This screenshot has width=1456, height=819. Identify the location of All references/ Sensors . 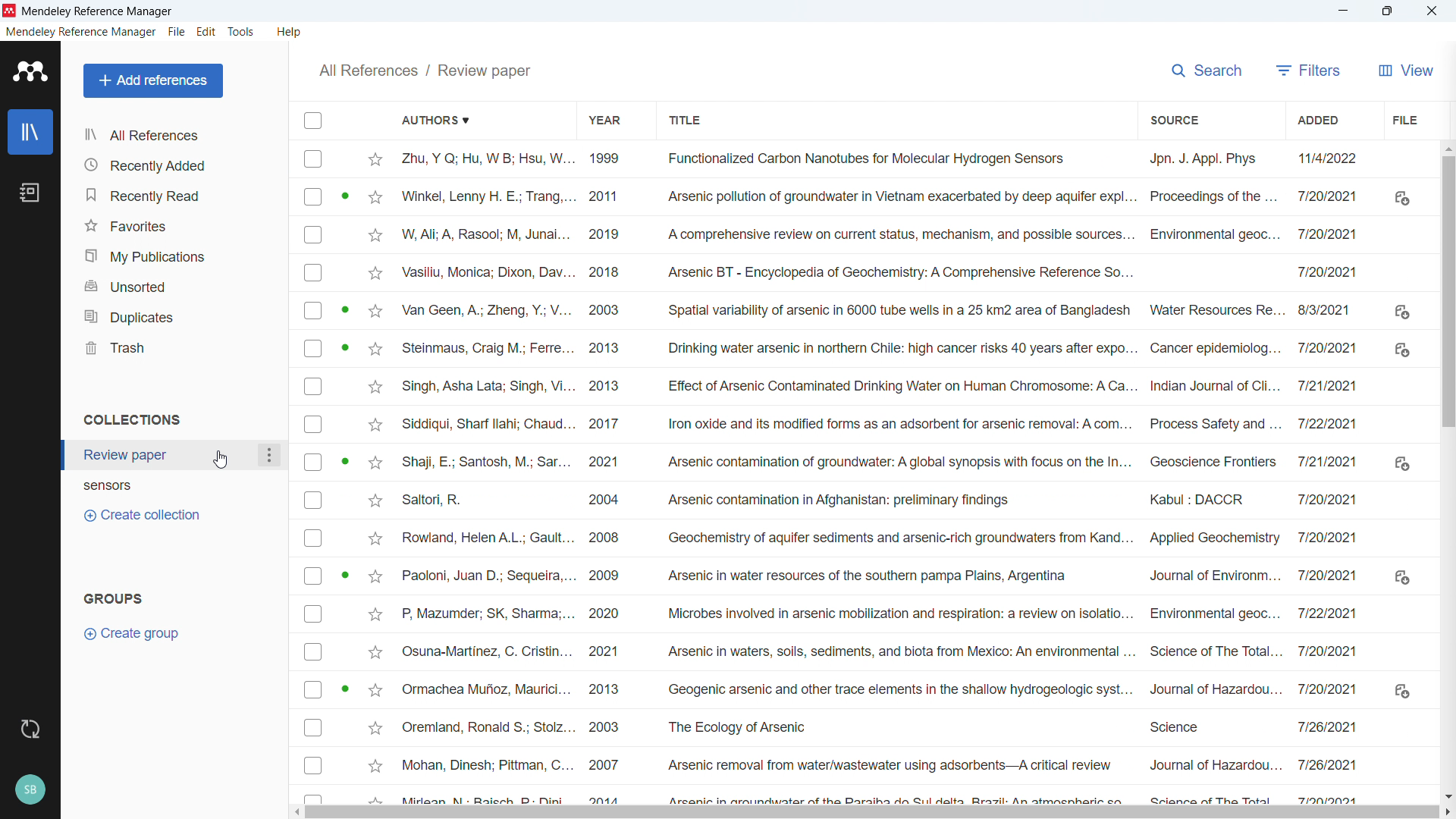
(432, 69).